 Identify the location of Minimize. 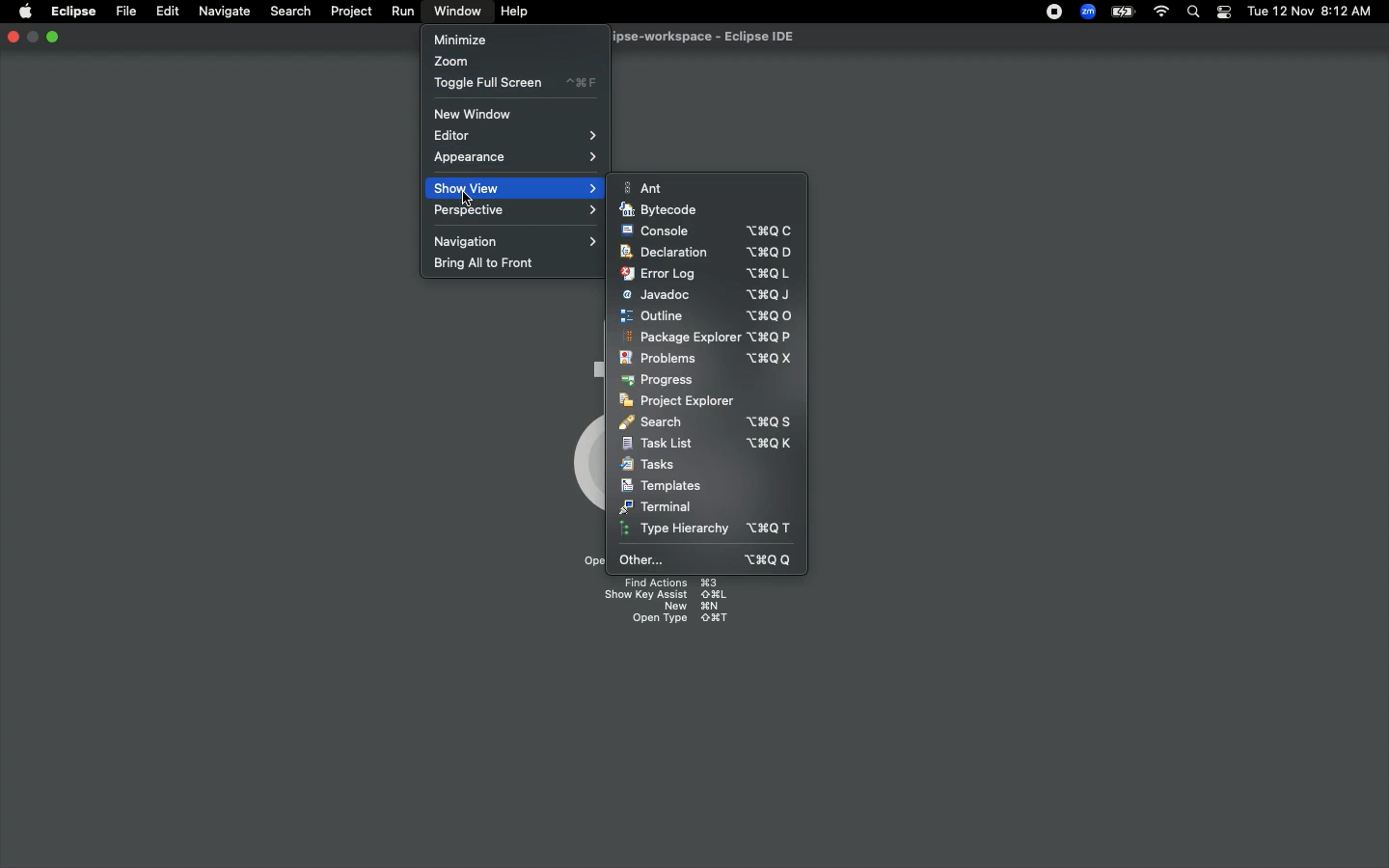
(459, 39).